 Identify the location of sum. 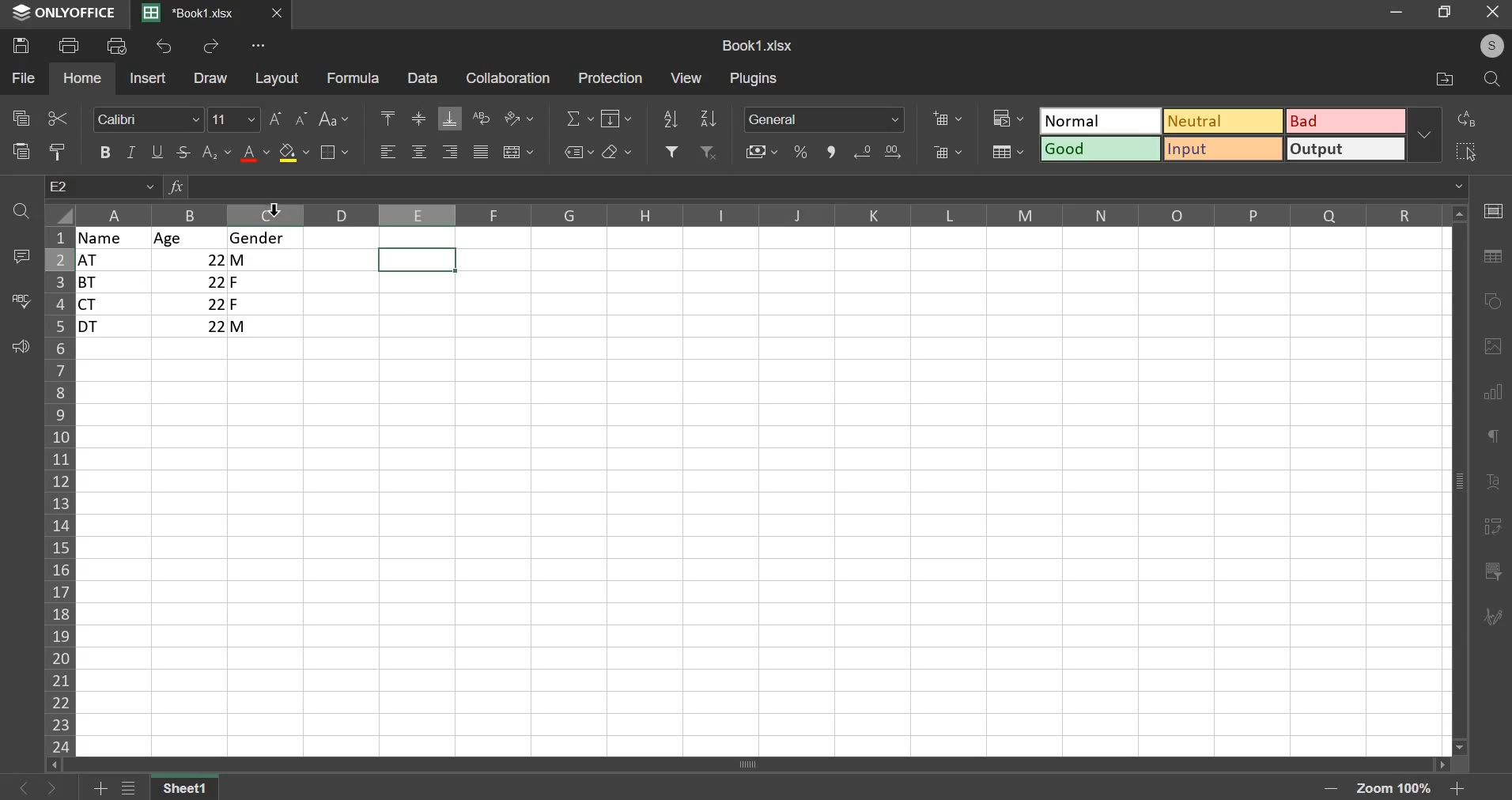
(581, 118).